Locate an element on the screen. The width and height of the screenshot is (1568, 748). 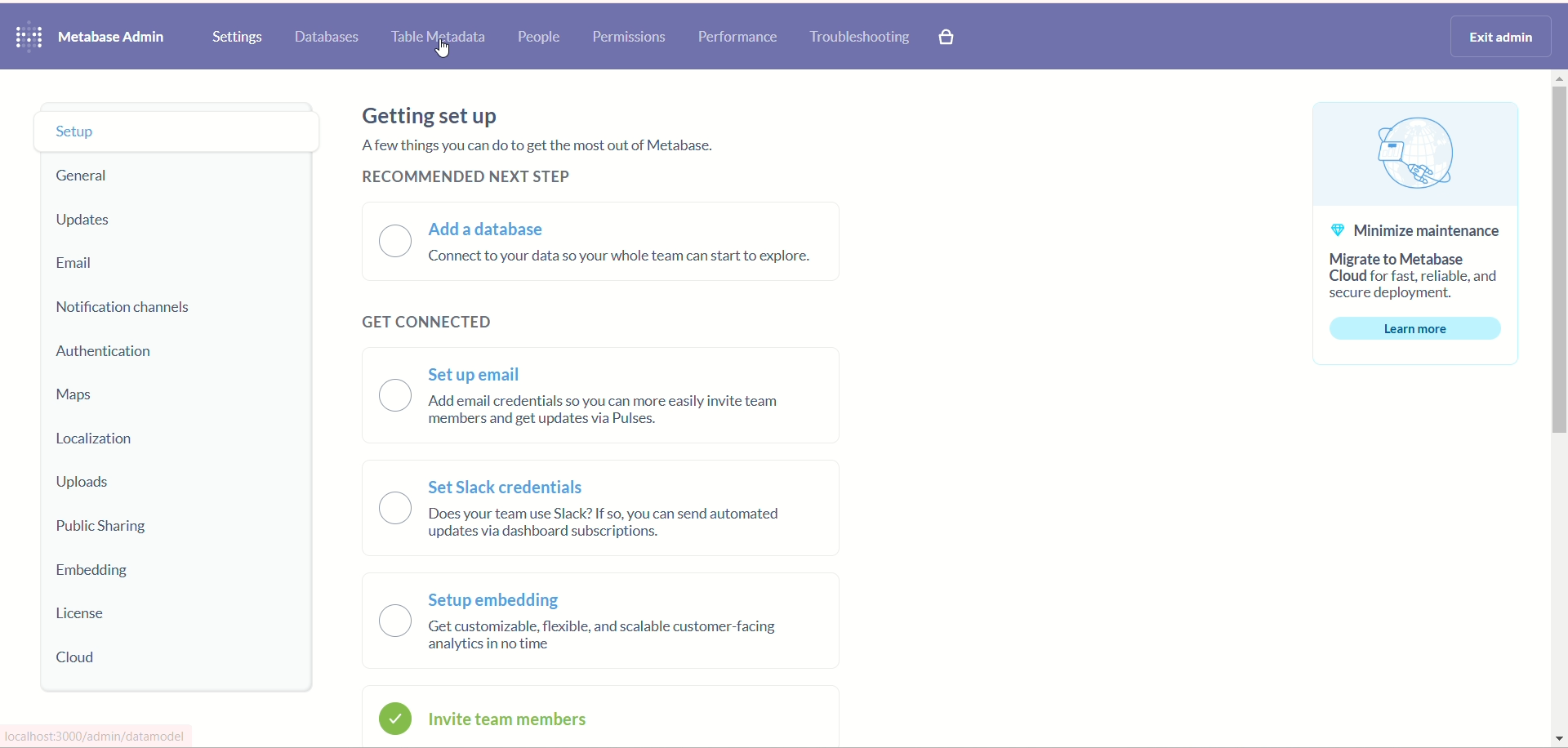
vertical scroll bar is located at coordinates (1558, 410).